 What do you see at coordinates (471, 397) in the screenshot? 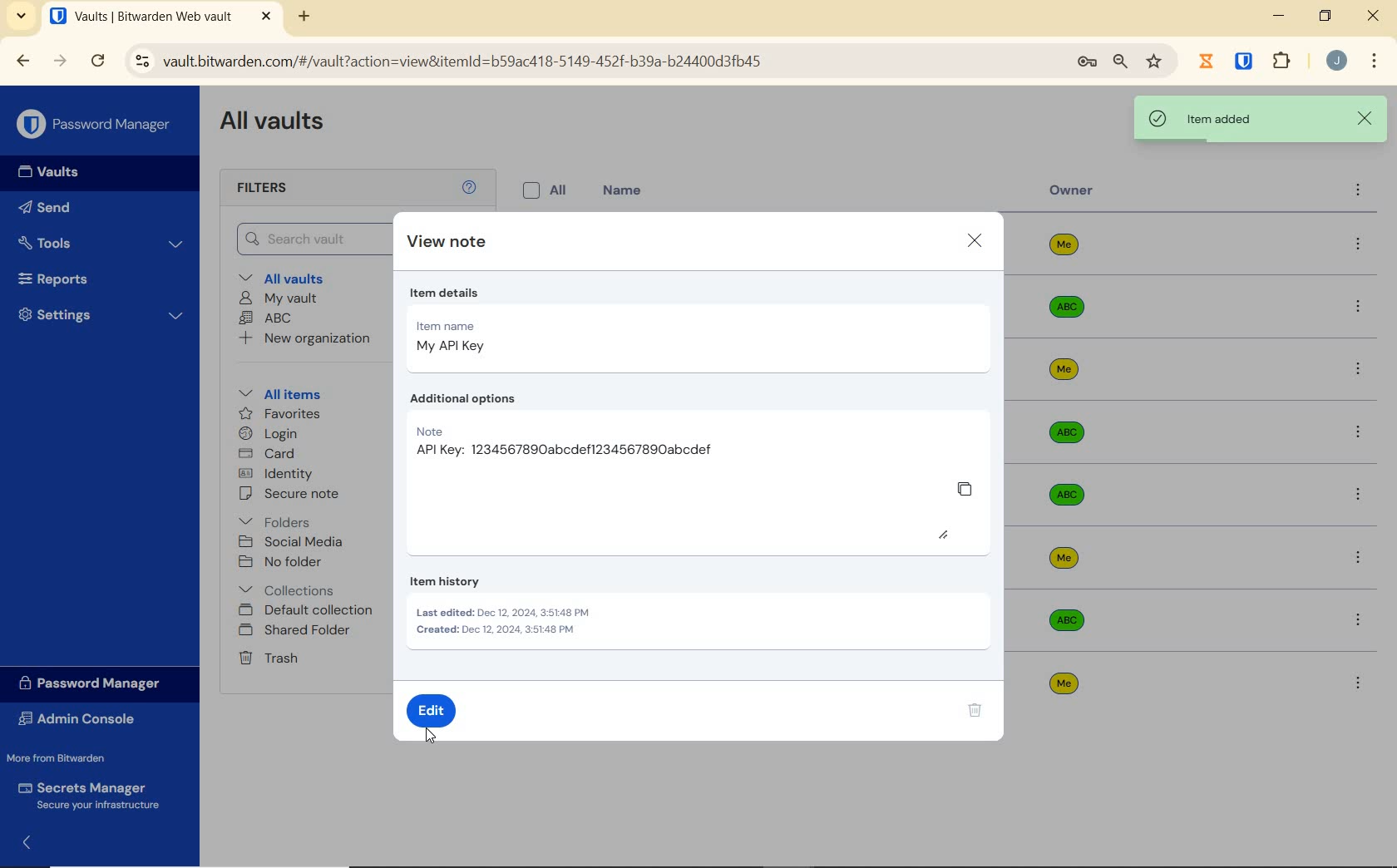
I see `Additional options` at bounding box center [471, 397].